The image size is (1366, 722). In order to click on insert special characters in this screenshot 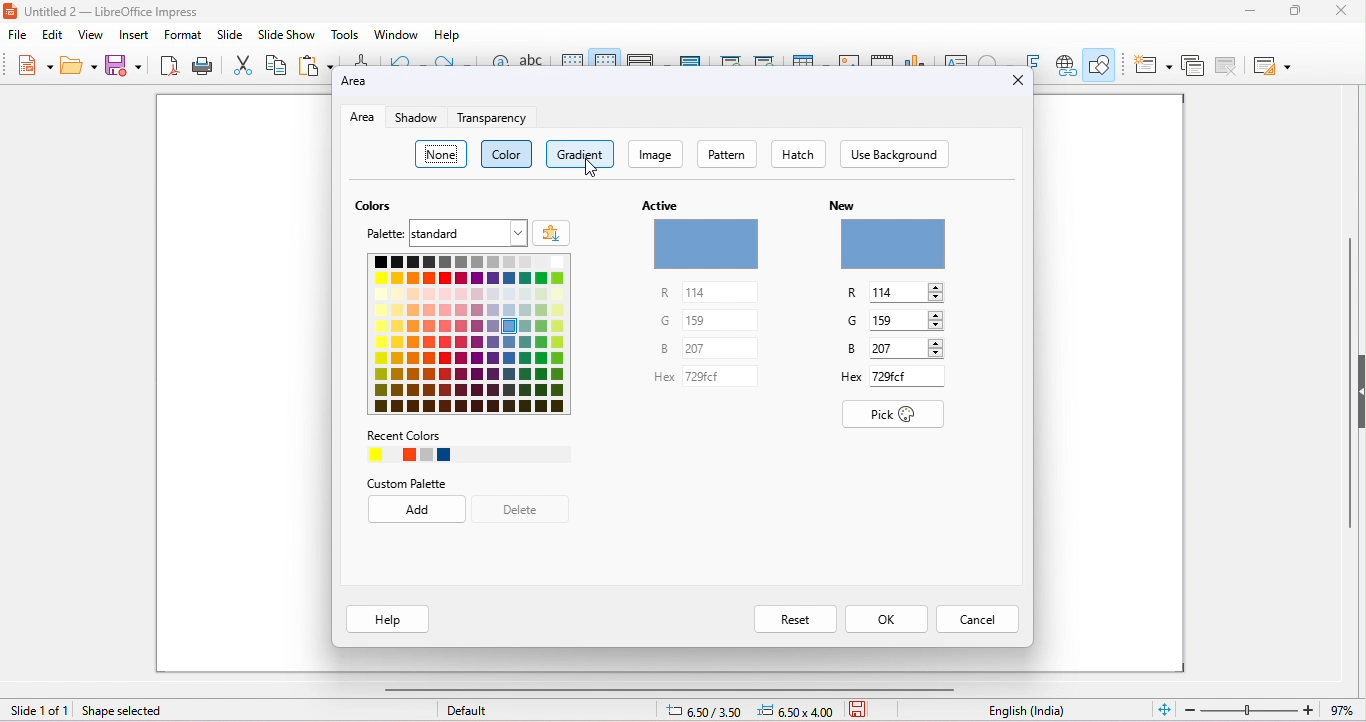, I will do `click(993, 58)`.